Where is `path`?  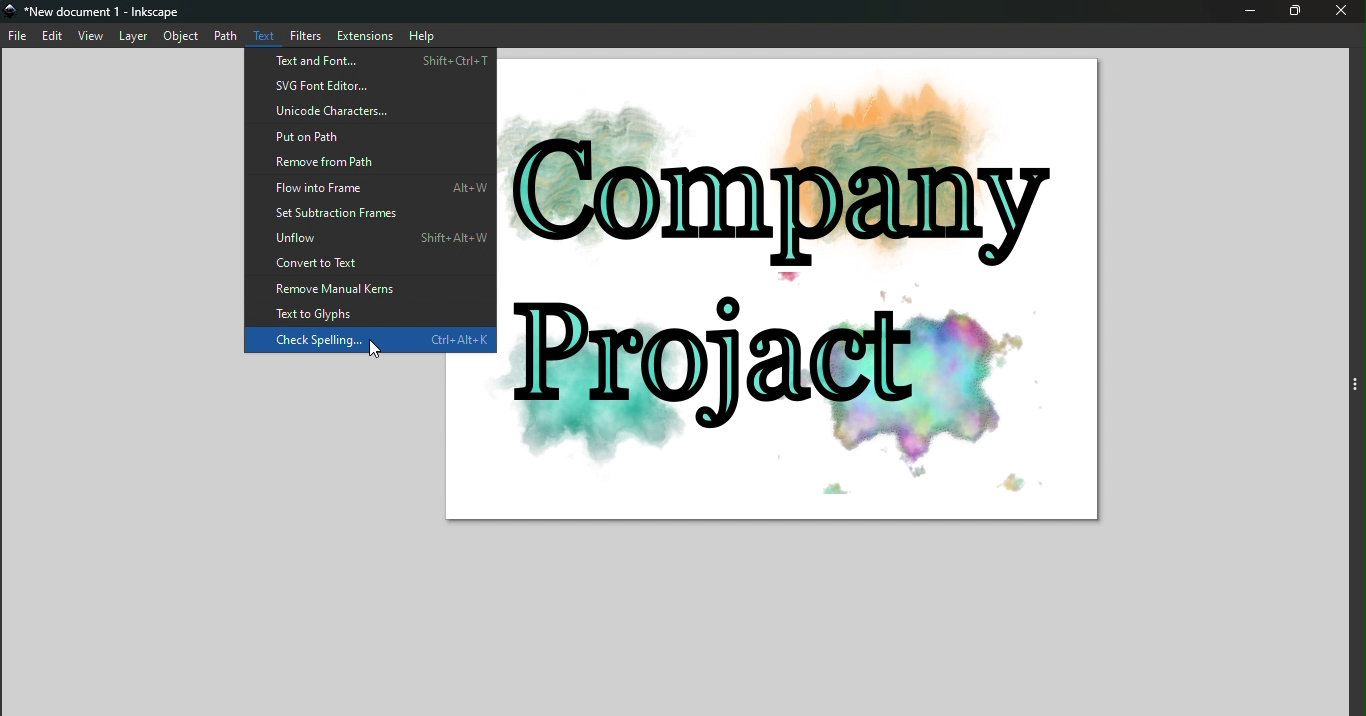 path is located at coordinates (225, 35).